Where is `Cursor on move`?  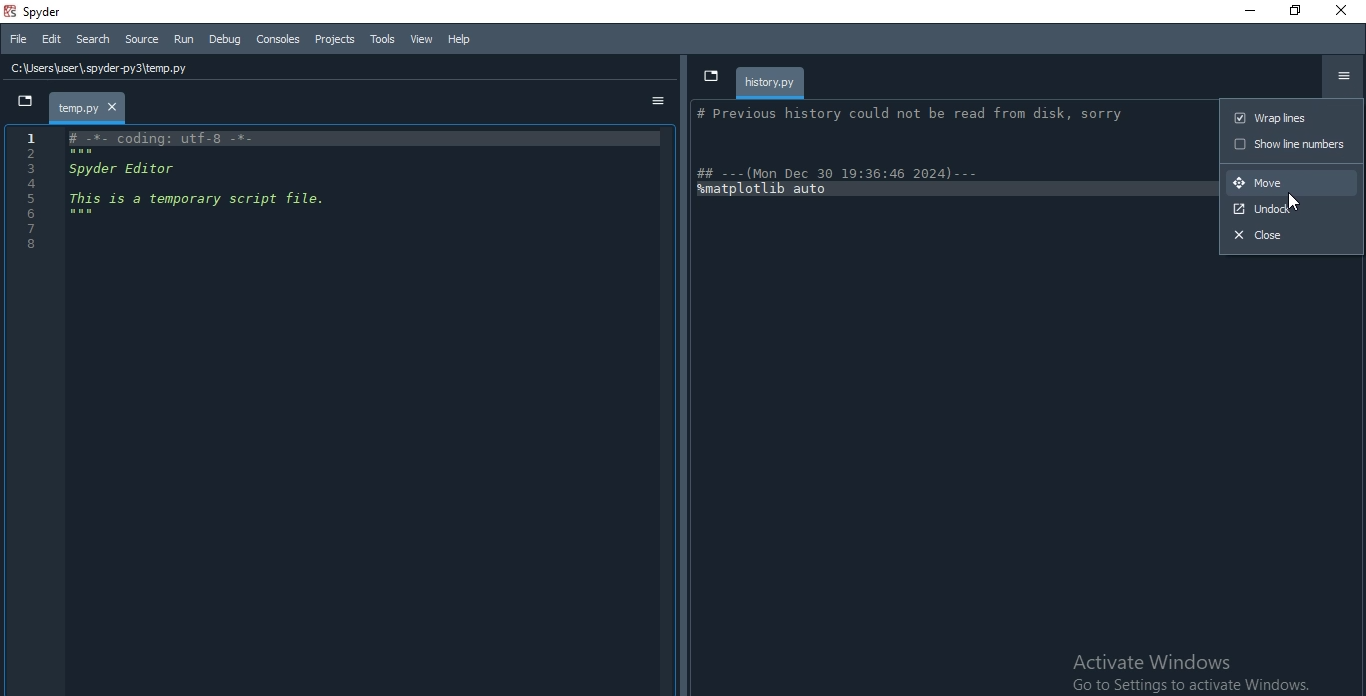
Cursor on move is located at coordinates (1292, 202).